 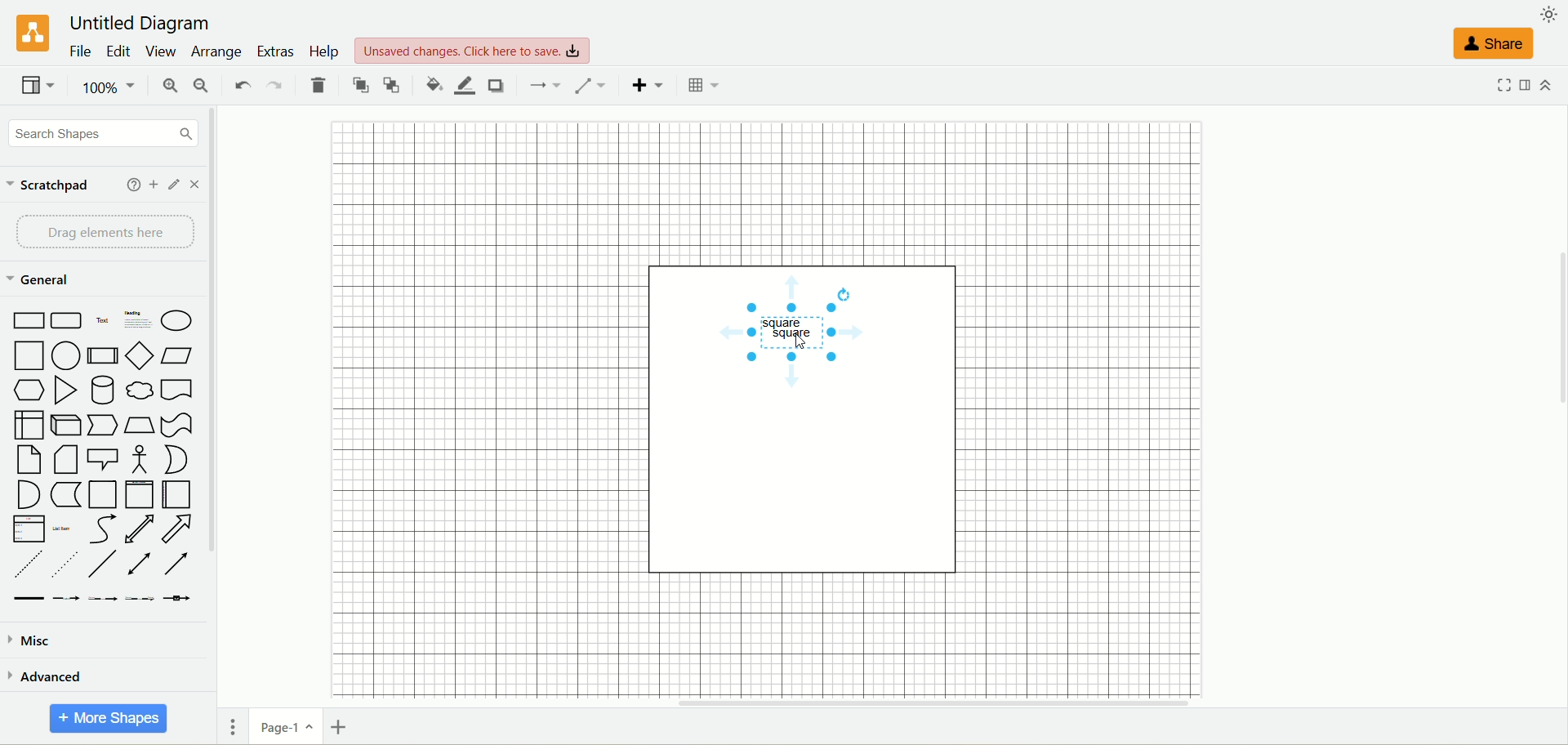 I want to click on insert, so click(x=649, y=85).